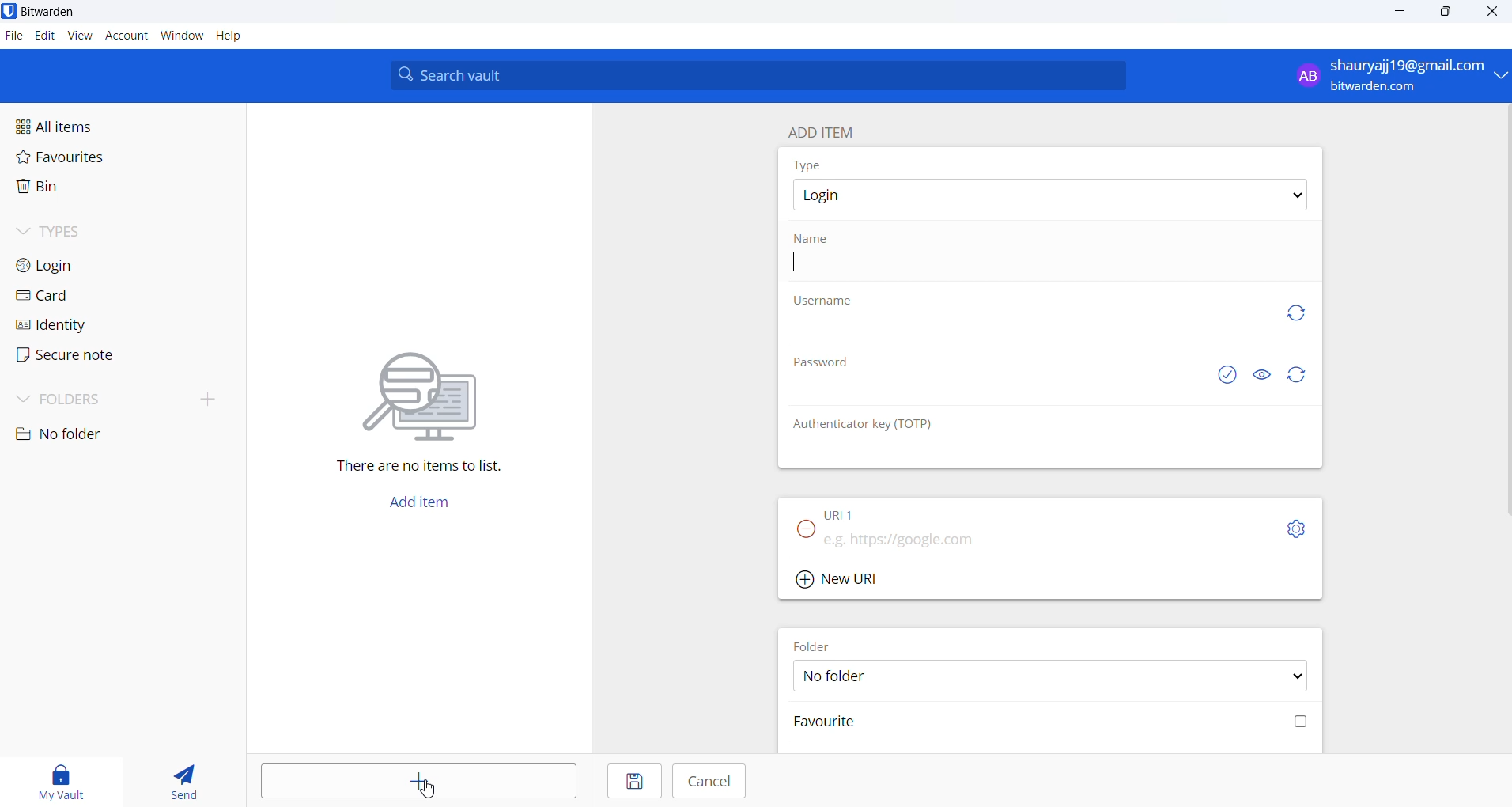  I want to click on account, so click(127, 37).